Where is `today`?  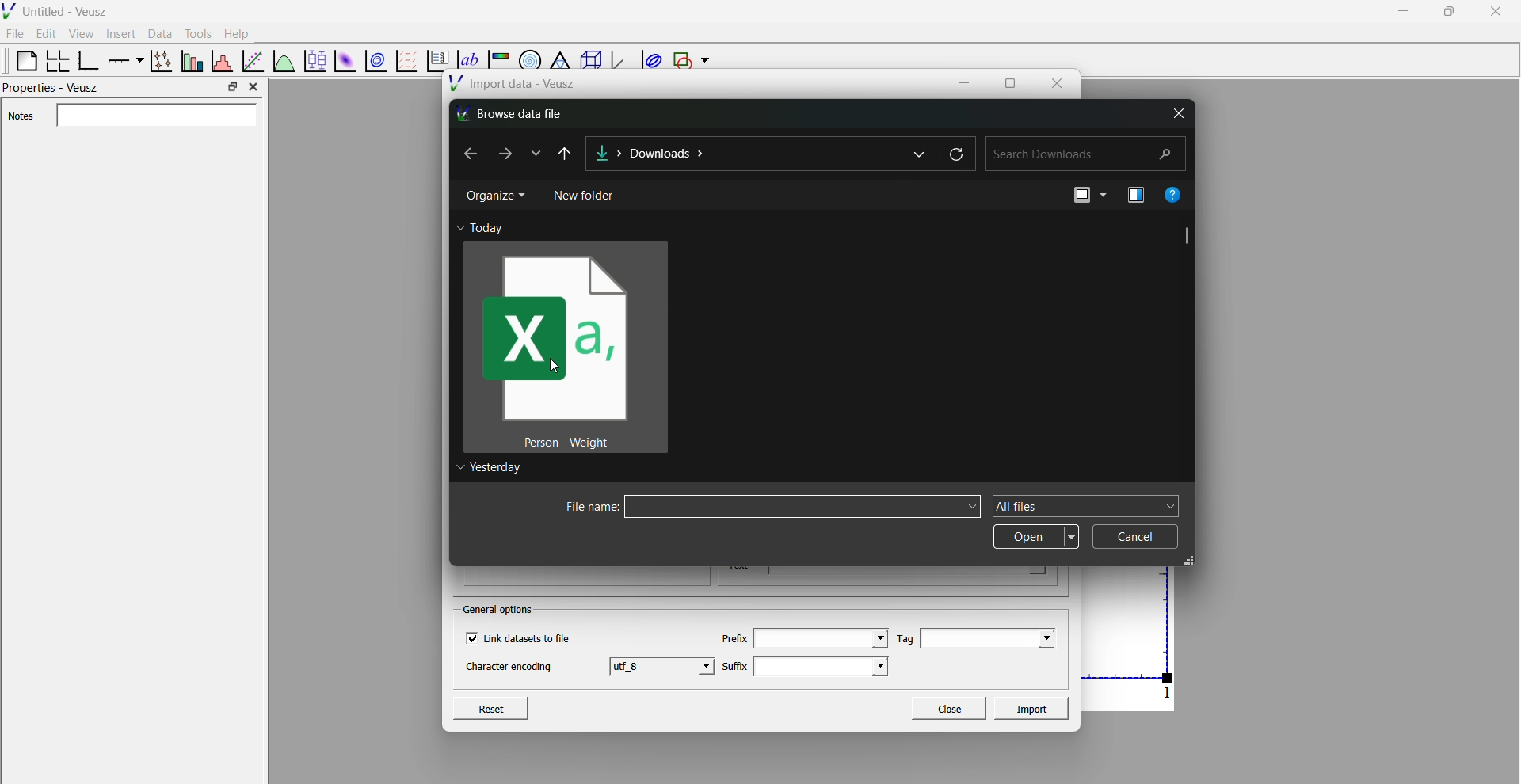
today is located at coordinates (494, 226).